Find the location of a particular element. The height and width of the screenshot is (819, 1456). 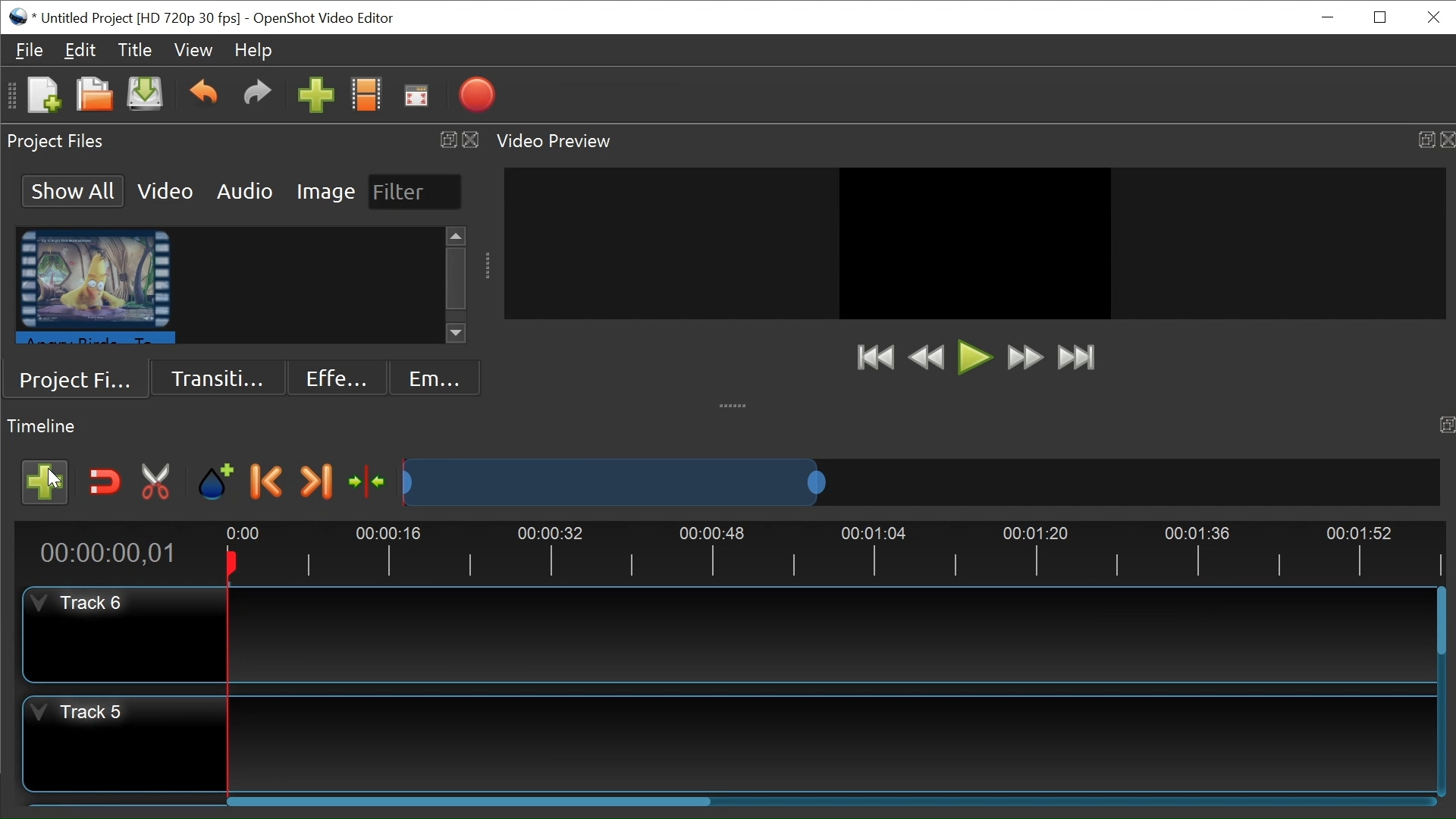

Add a marker is located at coordinates (215, 479).